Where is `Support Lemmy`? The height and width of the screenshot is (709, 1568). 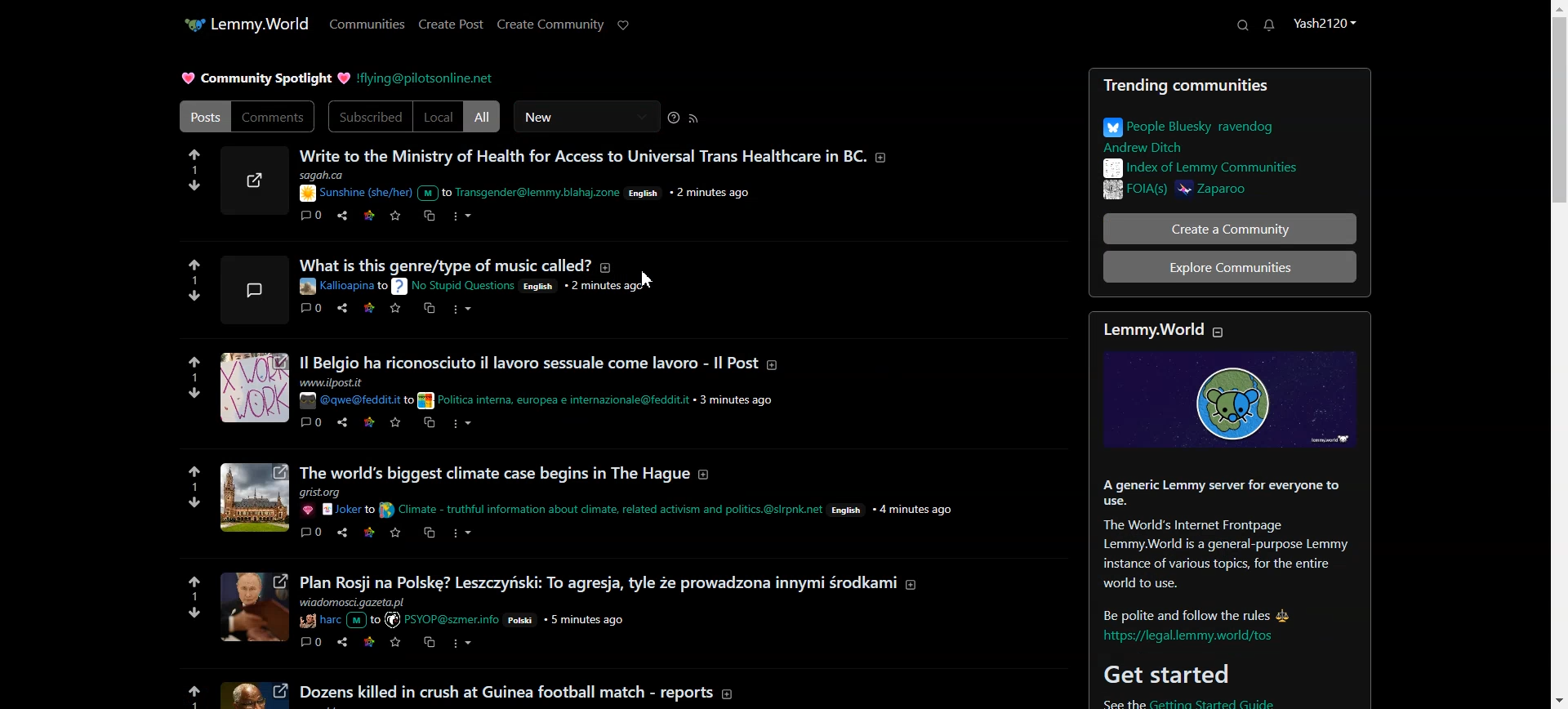
Support Lemmy is located at coordinates (622, 26).